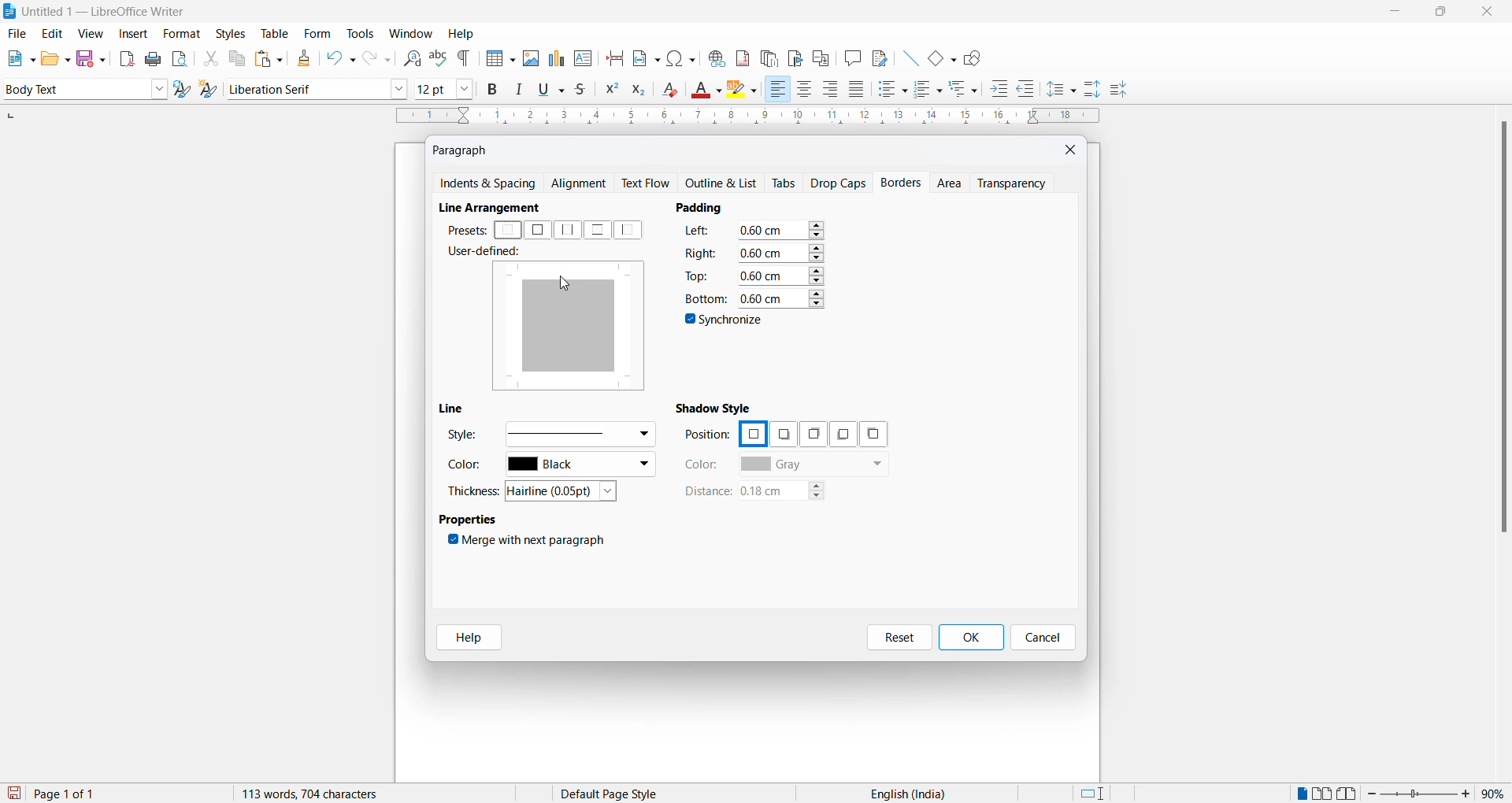 This screenshot has height=803, width=1512. What do you see at coordinates (210, 58) in the screenshot?
I see `cut` at bounding box center [210, 58].